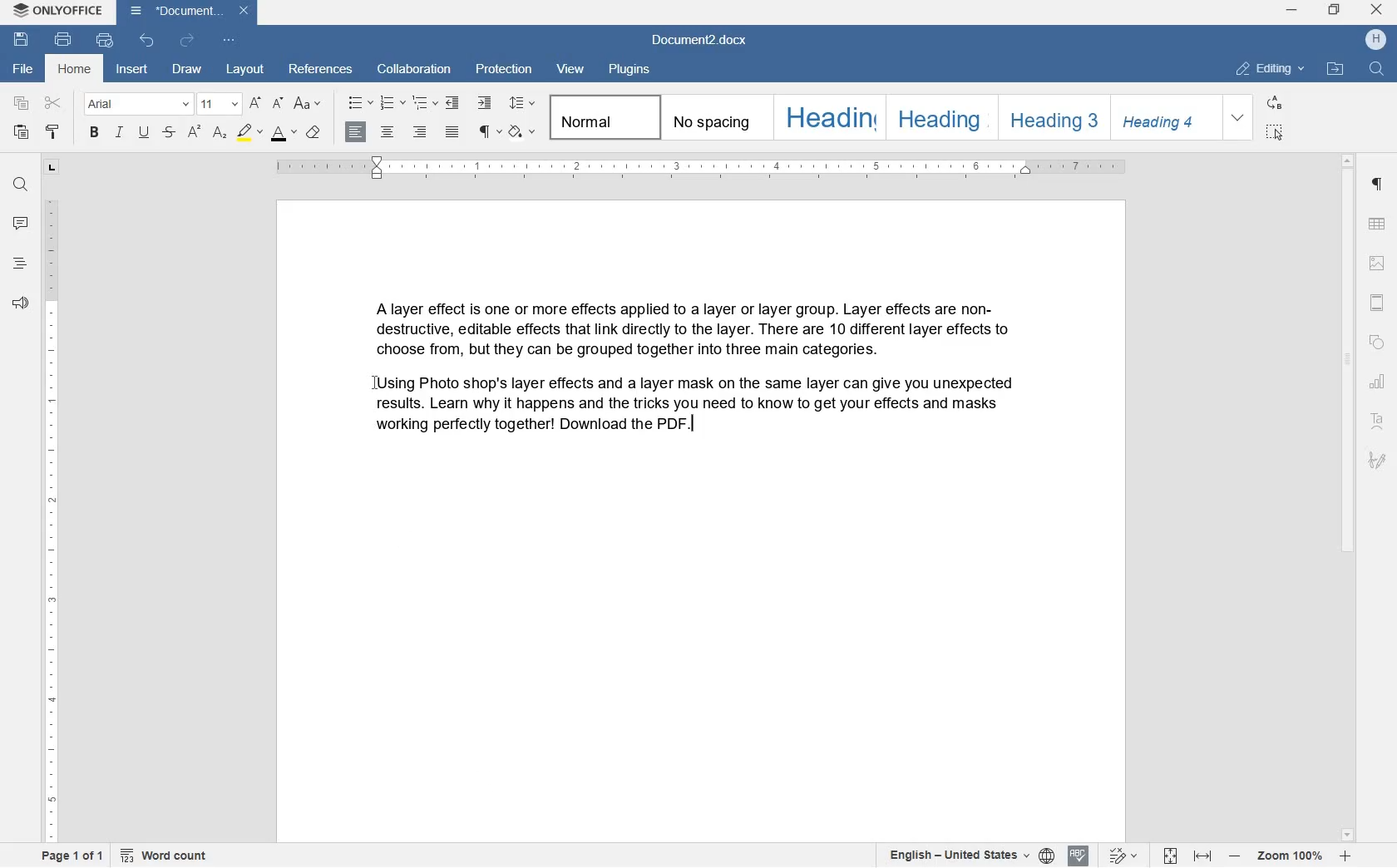 The width and height of the screenshot is (1397, 868). What do you see at coordinates (1049, 116) in the screenshot?
I see `HEADING 3` at bounding box center [1049, 116].